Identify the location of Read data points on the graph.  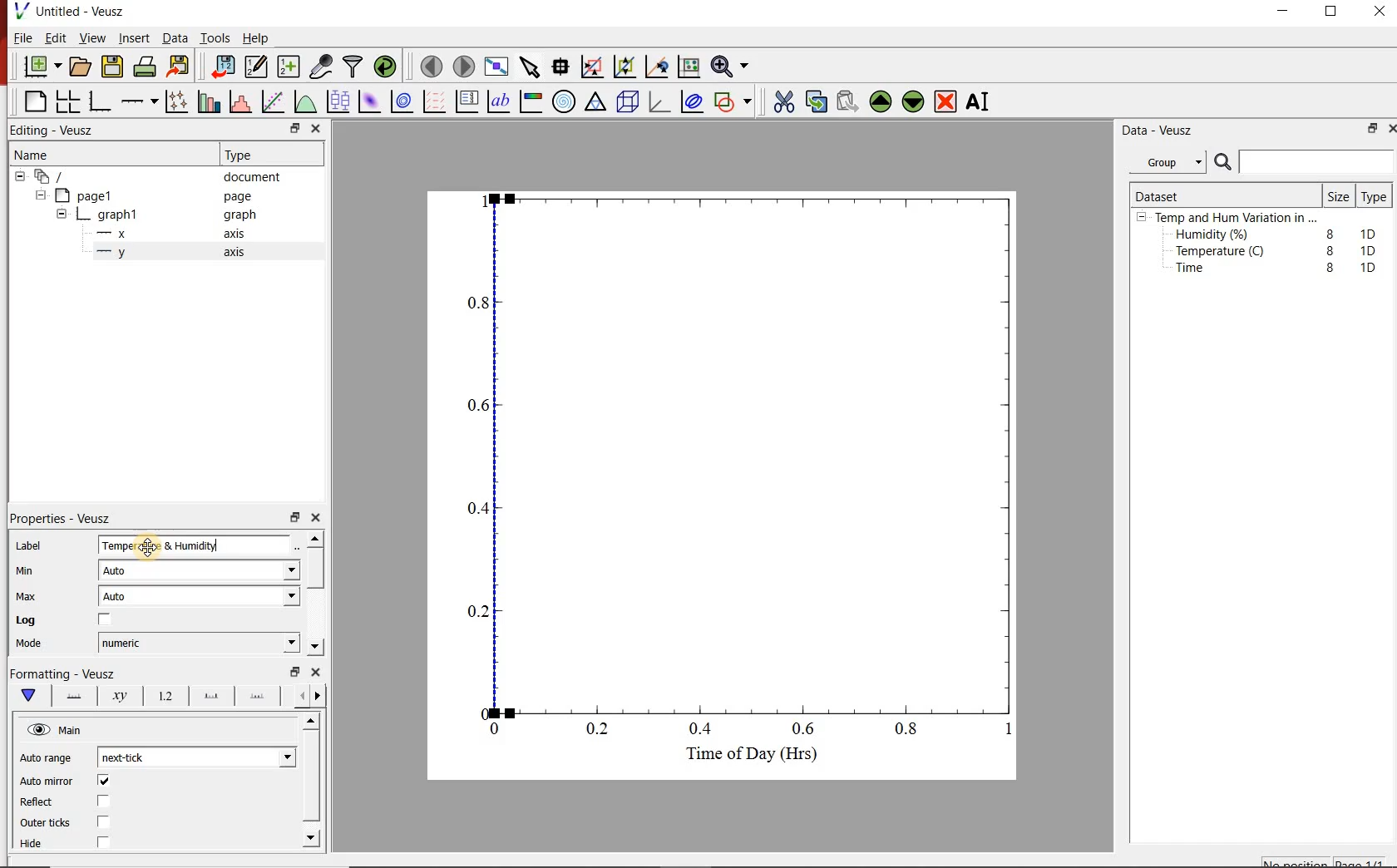
(562, 67).